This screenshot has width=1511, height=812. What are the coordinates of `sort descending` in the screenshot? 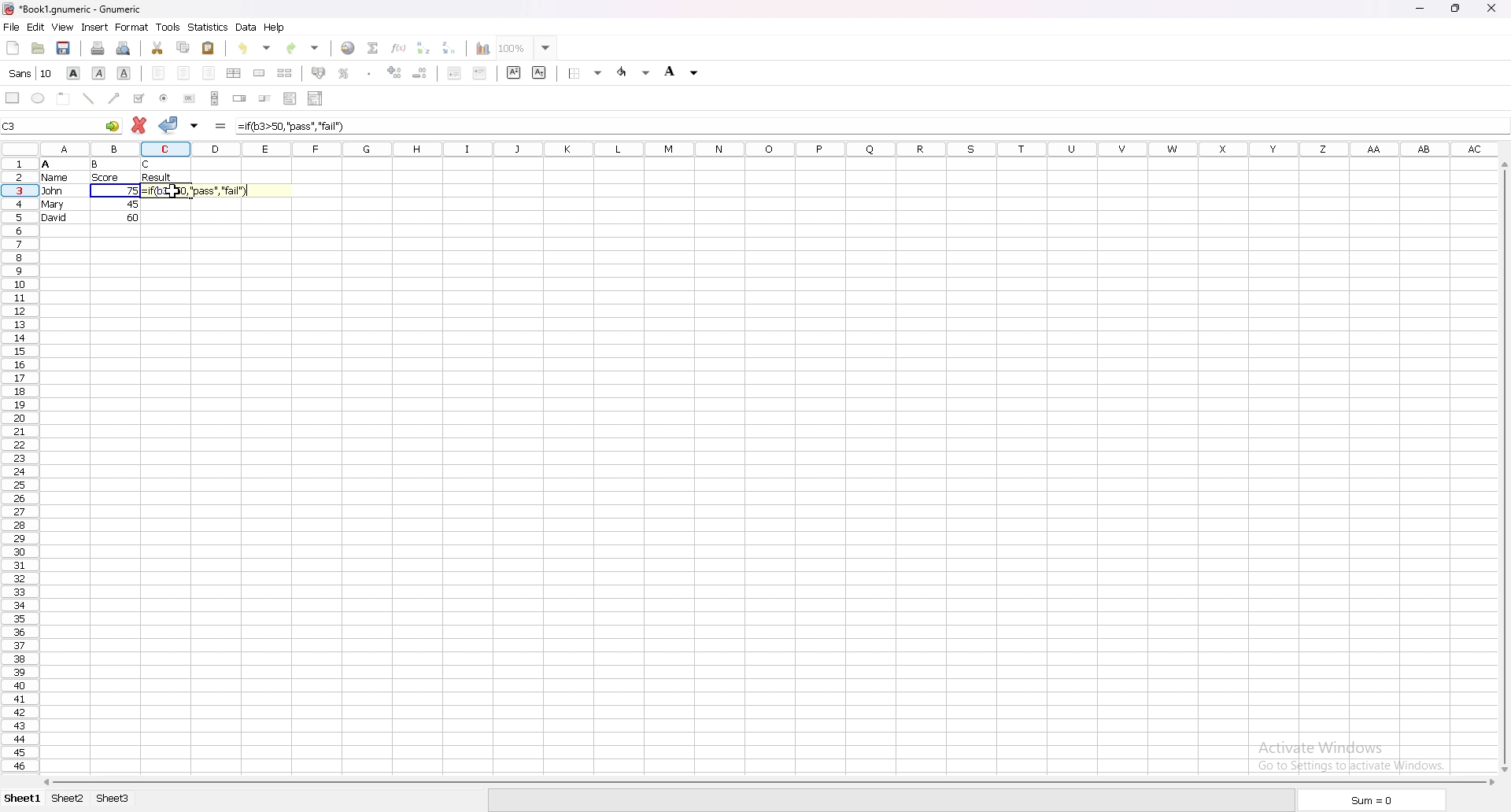 It's located at (449, 47).